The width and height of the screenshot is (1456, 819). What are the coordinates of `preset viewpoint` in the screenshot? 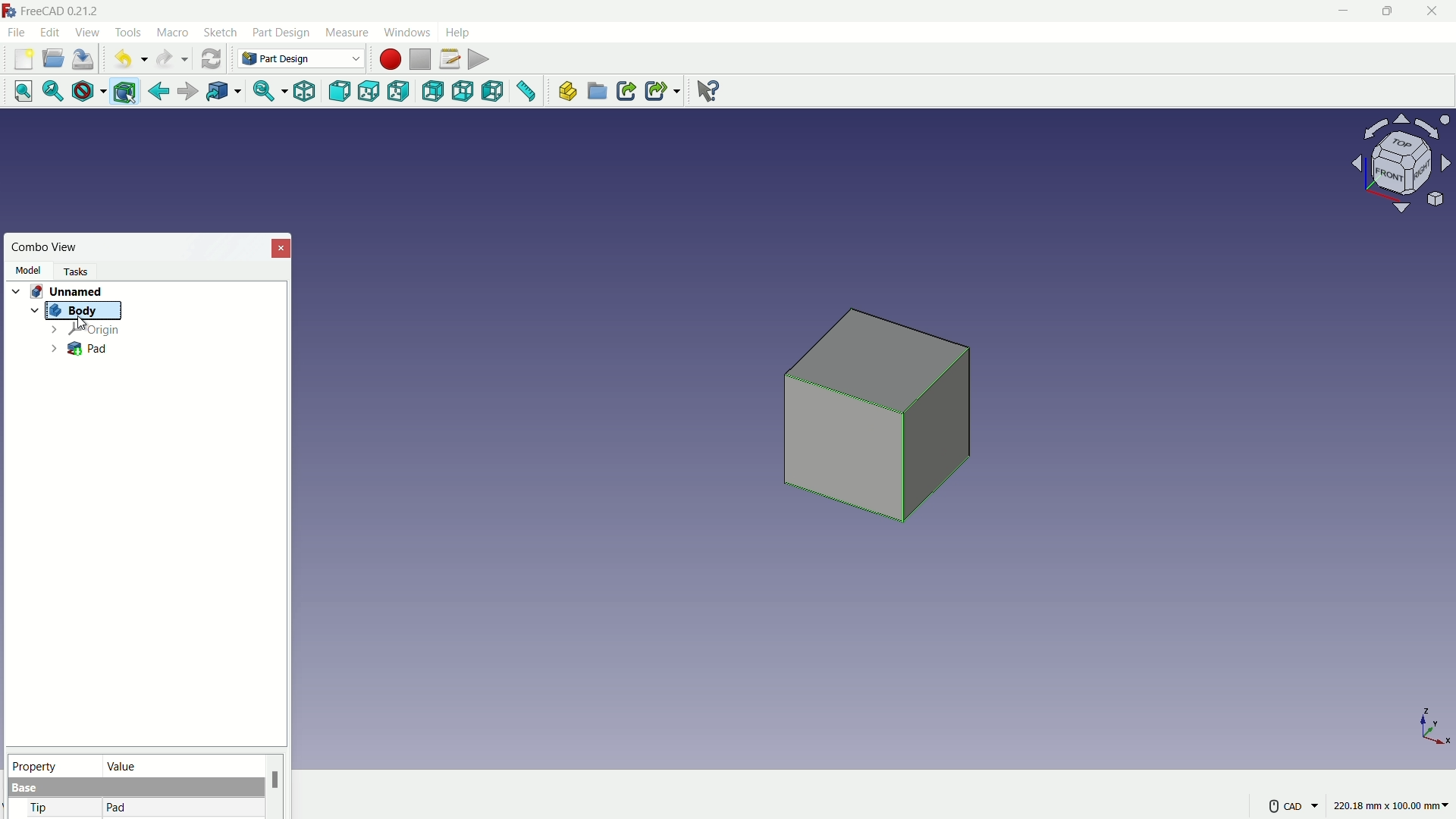 It's located at (1406, 171).